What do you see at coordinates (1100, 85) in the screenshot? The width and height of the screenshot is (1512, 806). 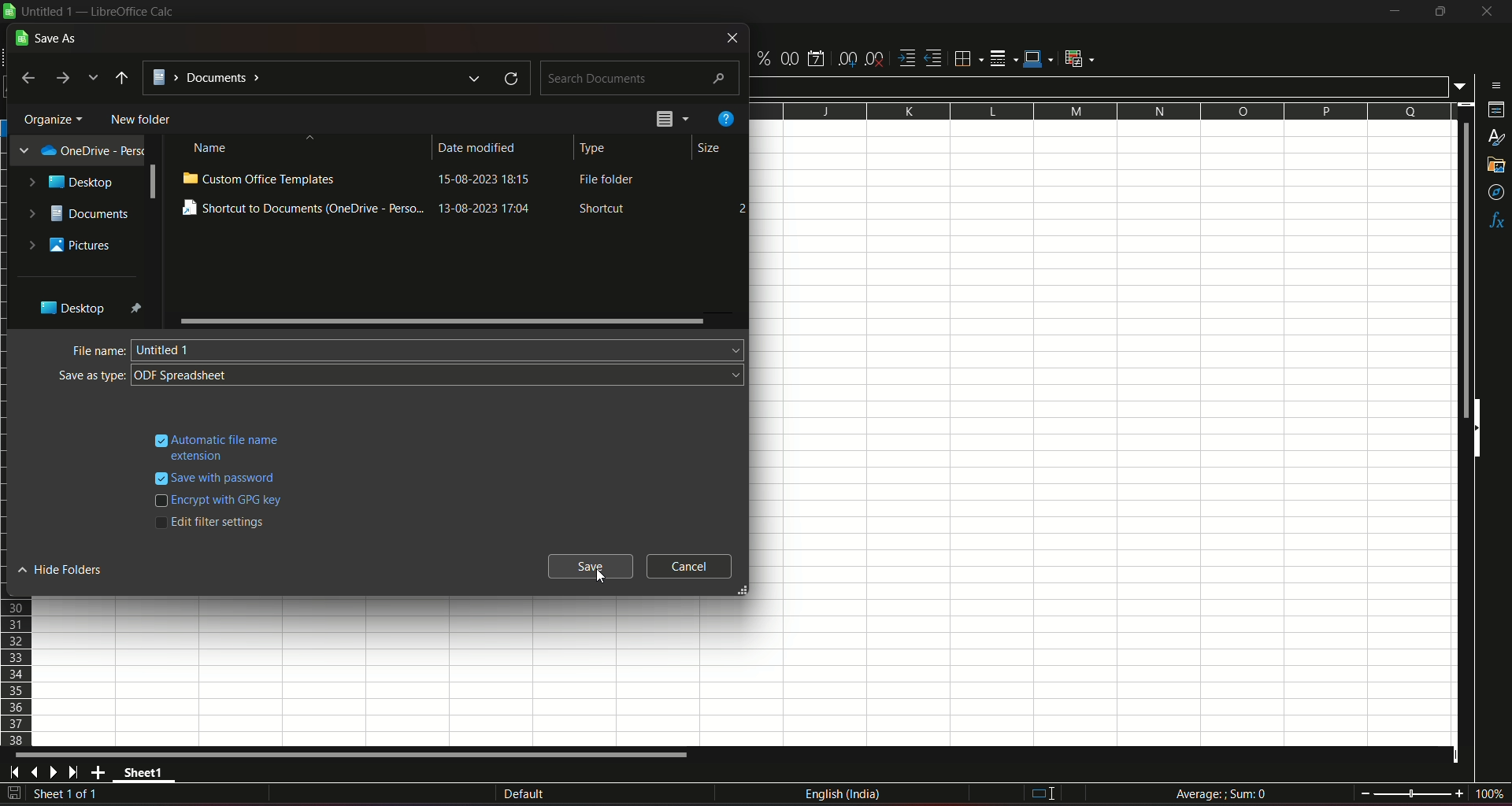 I see `input line` at bounding box center [1100, 85].